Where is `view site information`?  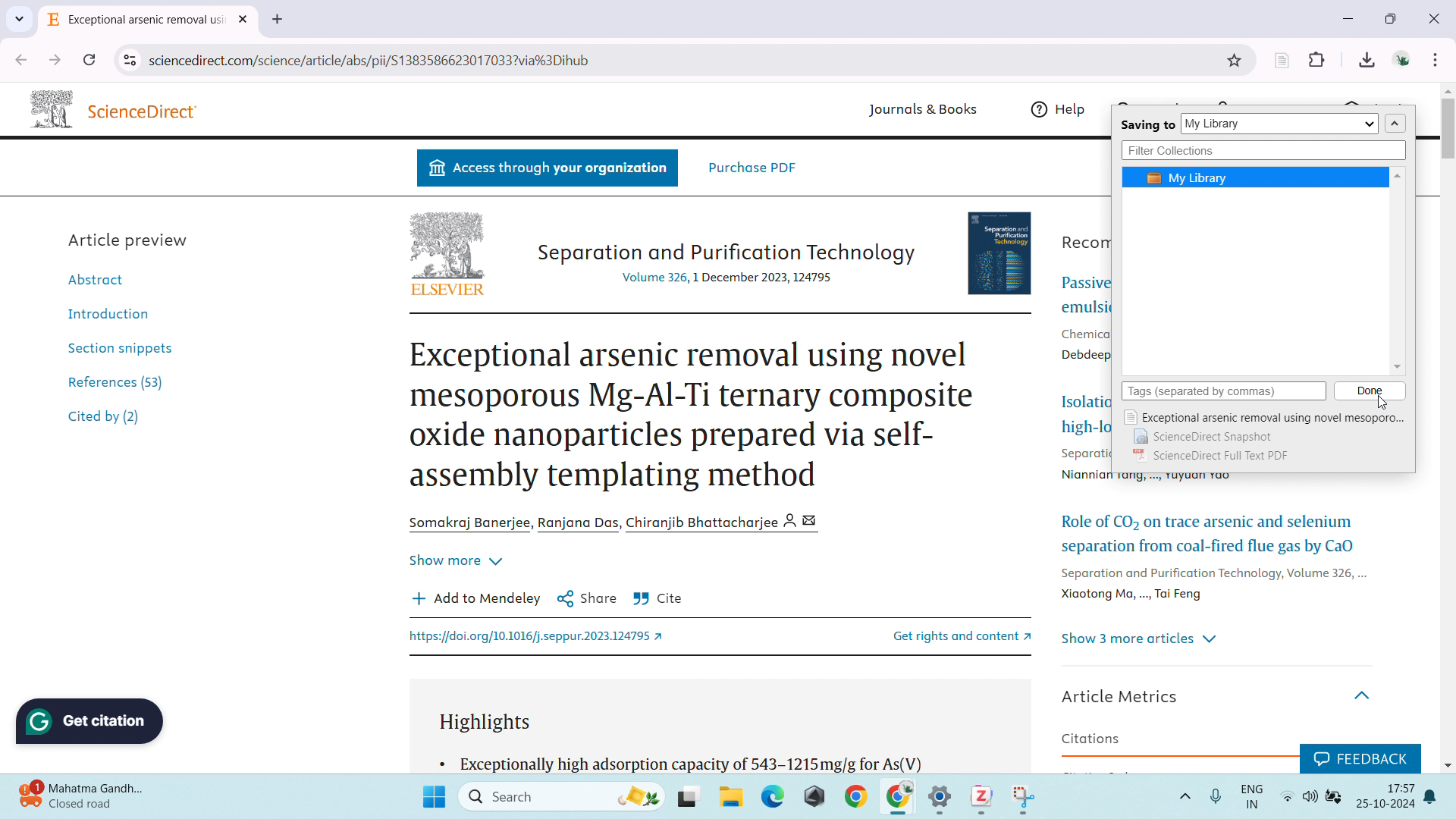 view site information is located at coordinates (129, 61).